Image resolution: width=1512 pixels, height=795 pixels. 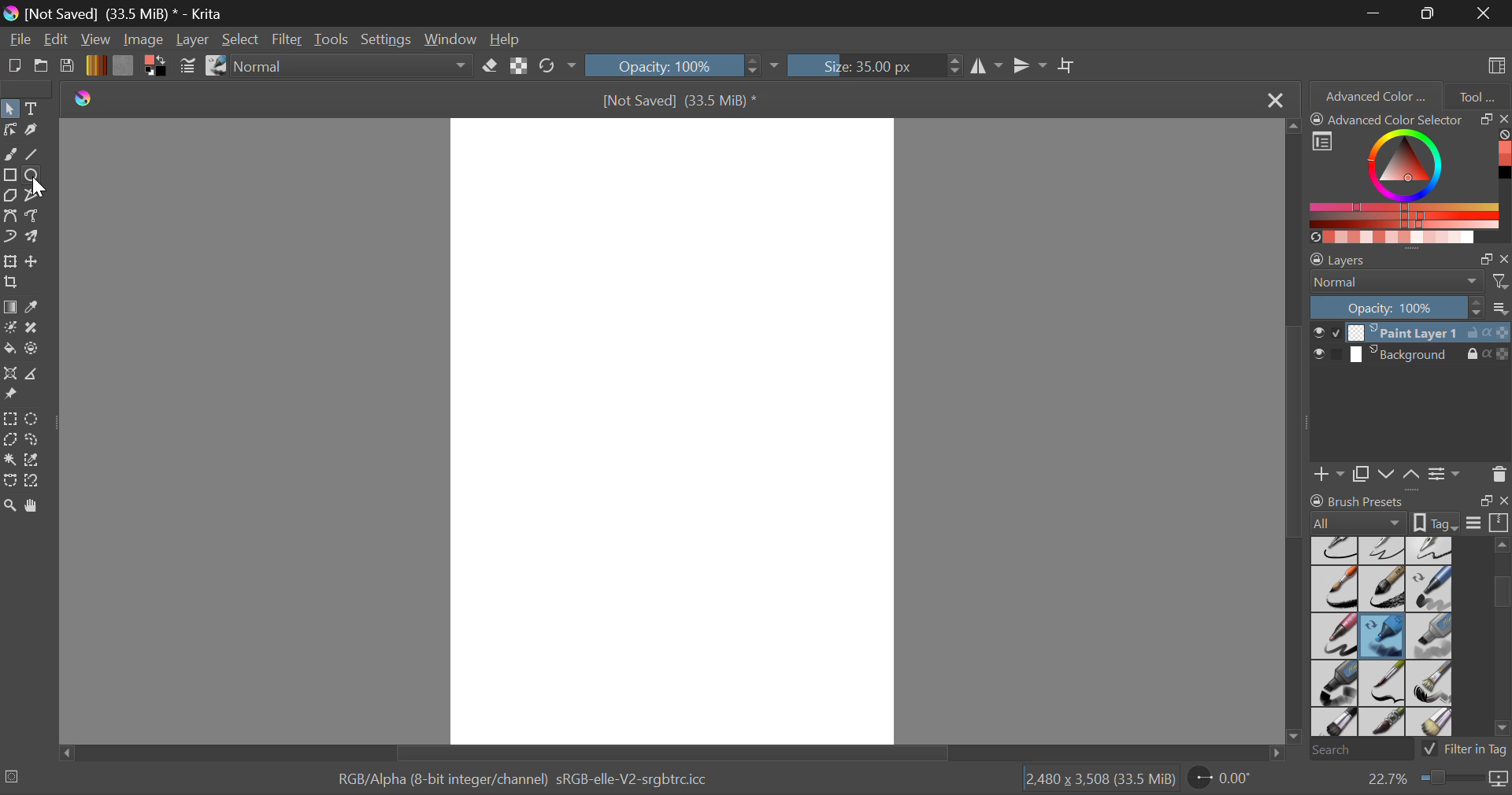 I want to click on Brush Presets Docket Tab, so click(x=1409, y=509).